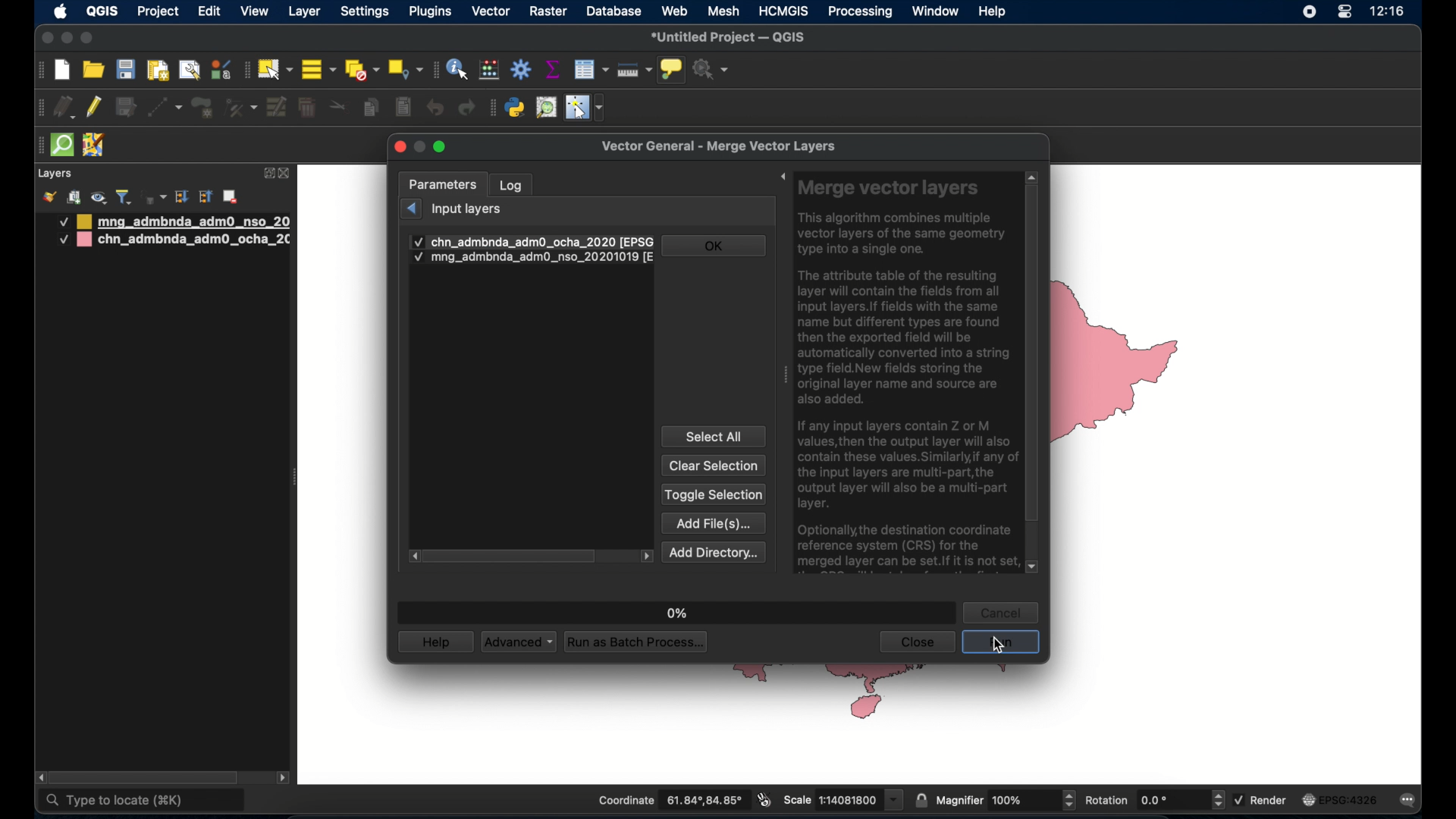  Describe the element at coordinates (1388, 13) in the screenshot. I see `time` at that location.